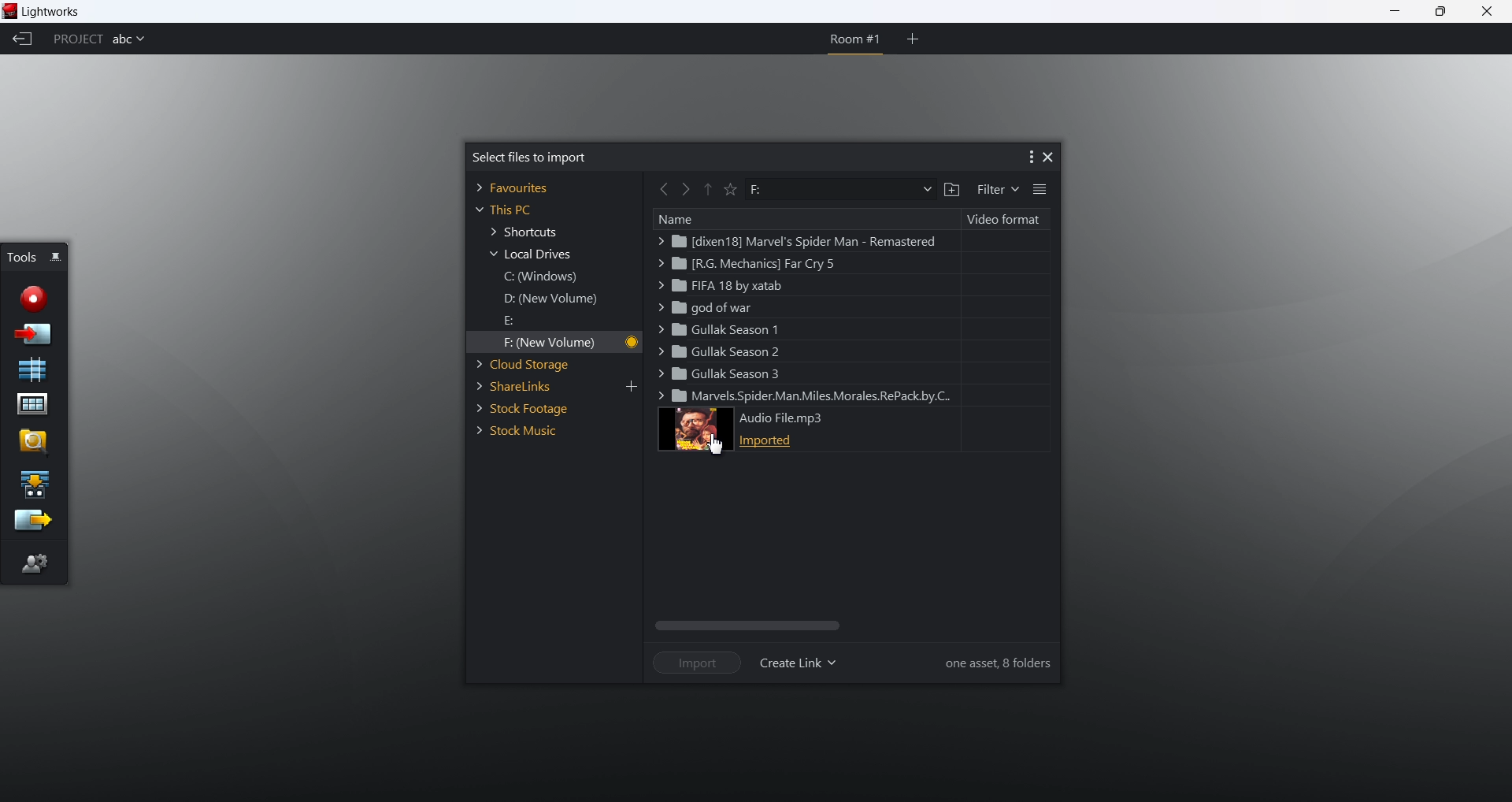 The image size is (1512, 802). Describe the element at coordinates (503, 211) in the screenshot. I see `this PC` at that location.